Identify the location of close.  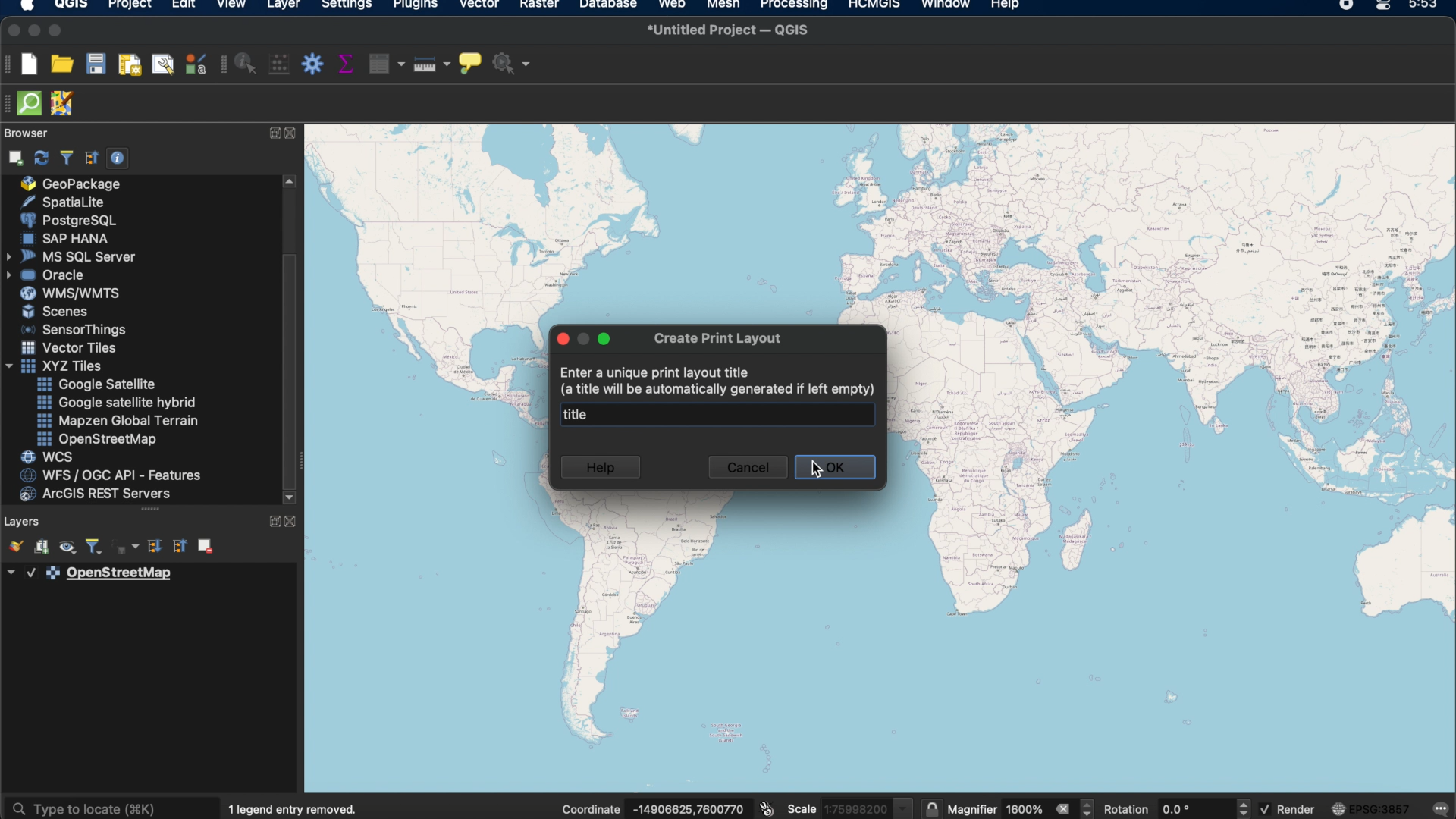
(562, 340).